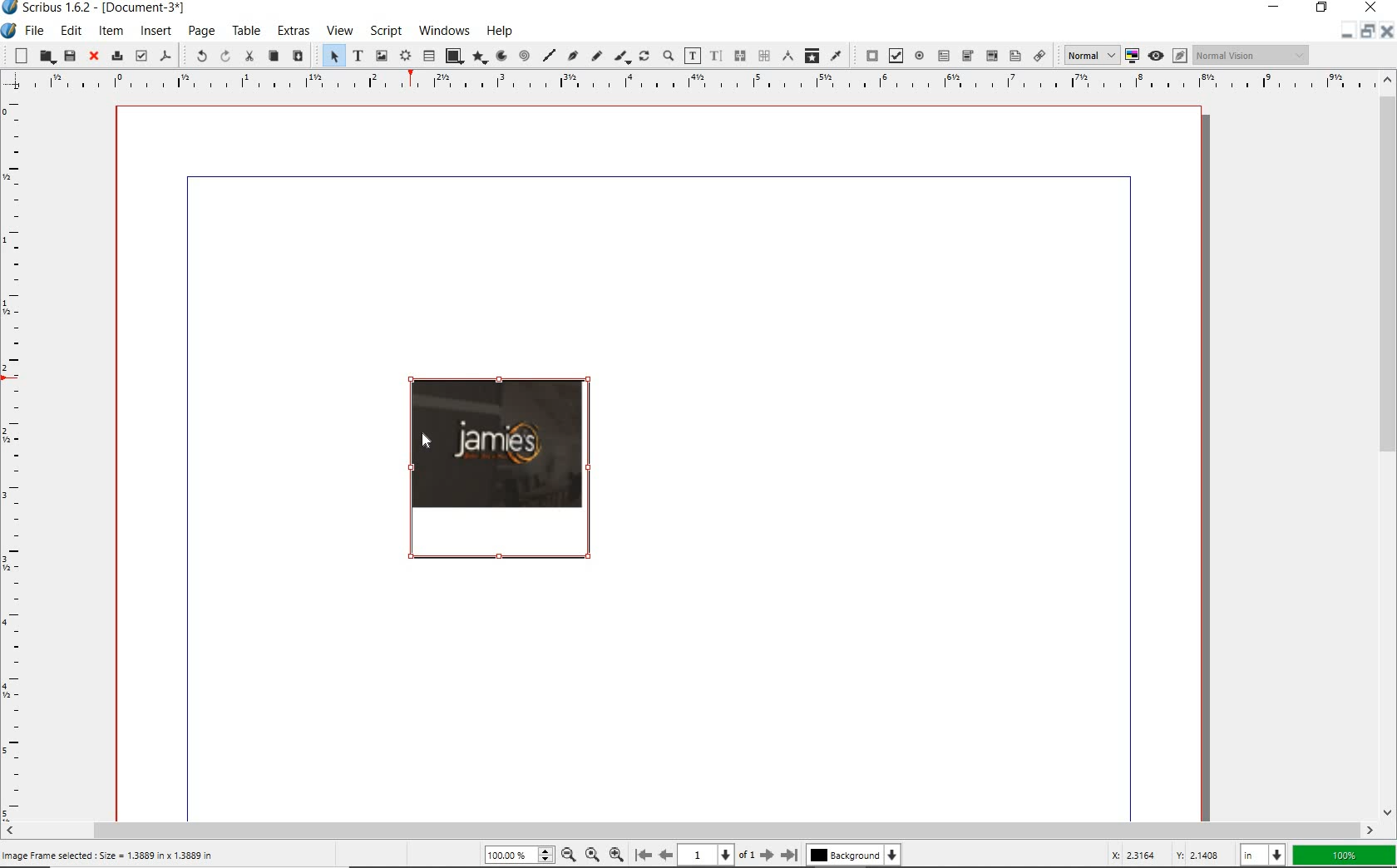 The width and height of the screenshot is (1397, 868). Describe the element at coordinates (569, 856) in the screenshot. I see `zoom out` at that location.